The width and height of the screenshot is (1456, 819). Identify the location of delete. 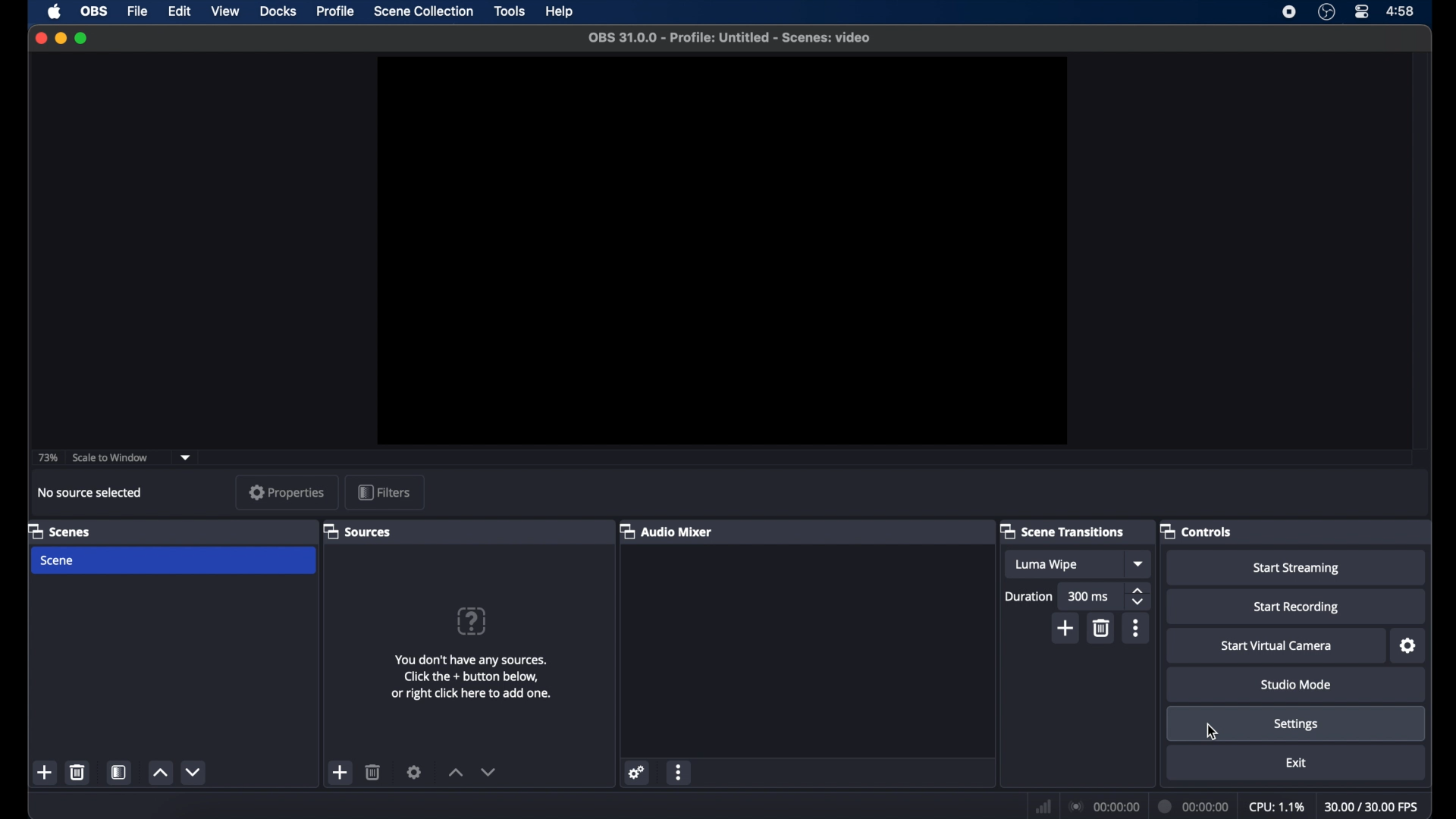
(1102, 628).